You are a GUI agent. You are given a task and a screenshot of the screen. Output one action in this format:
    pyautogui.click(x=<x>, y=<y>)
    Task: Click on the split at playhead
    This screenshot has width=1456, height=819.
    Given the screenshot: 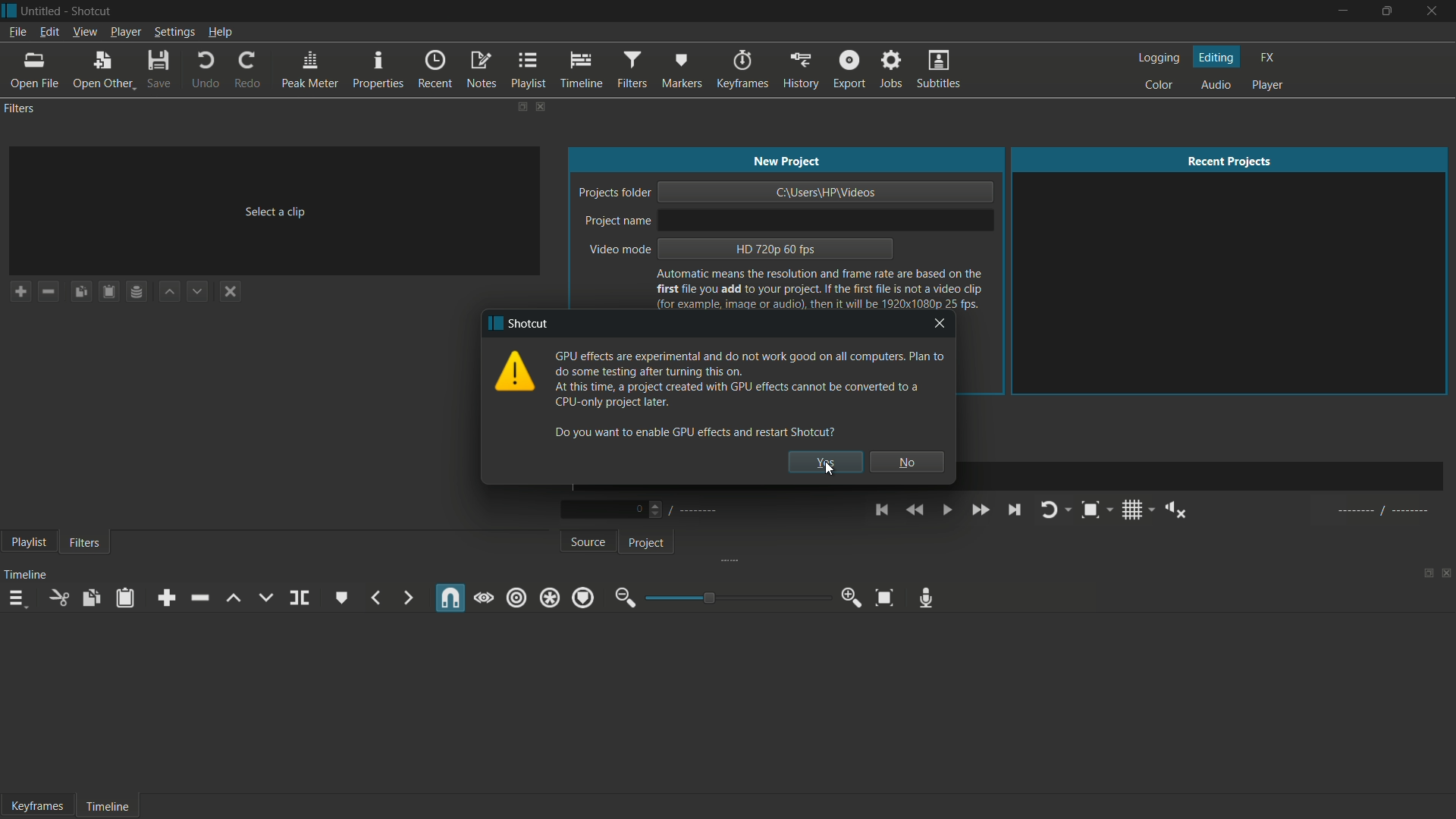 What is the action you would take?
    pyautogui.click(x=301, y=598)
    